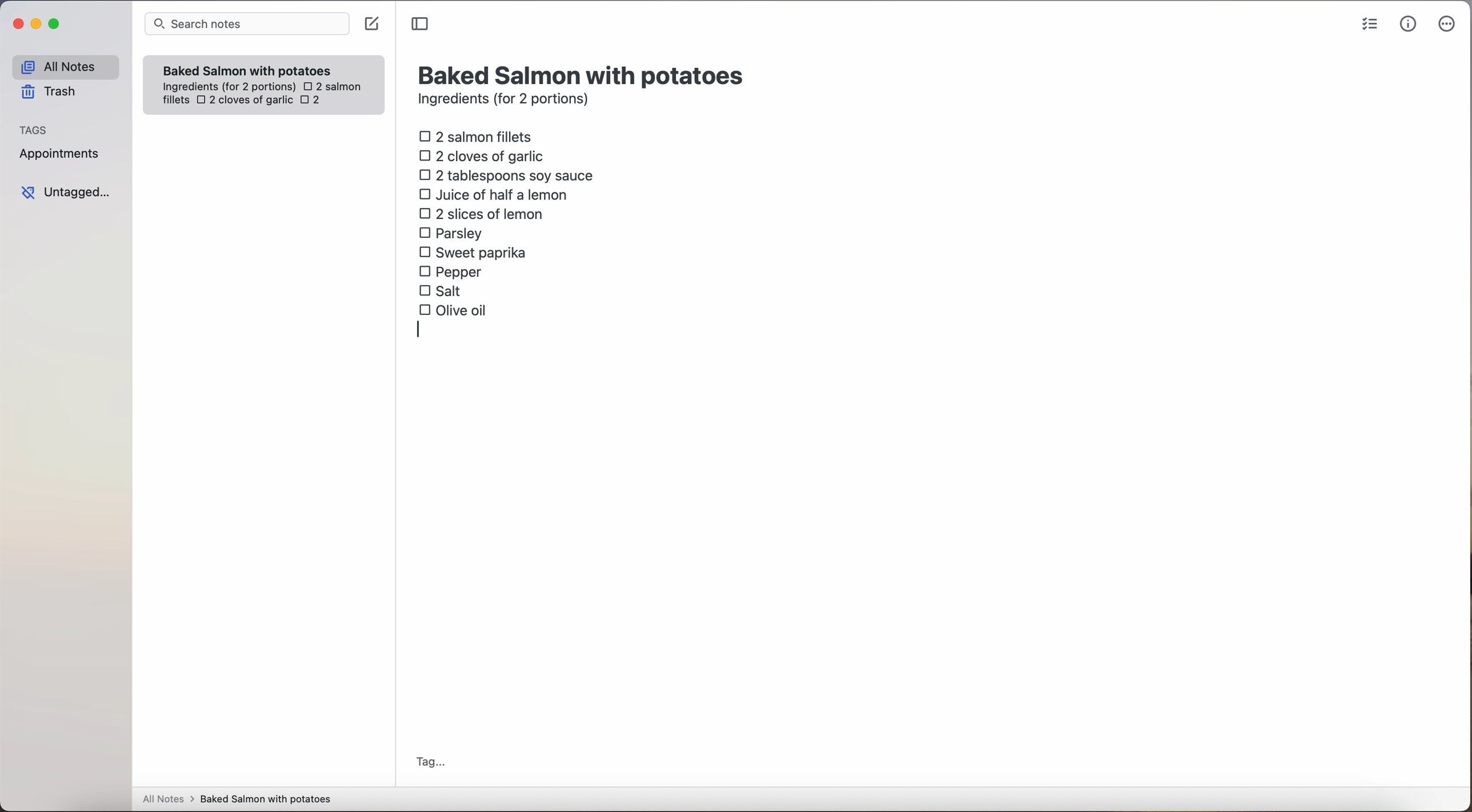 Image resolution: width=1472 pixels, height=812 pixels. What do you see at coordinates (451, 232) in the screenshot?
I see `parsley` at bounding box center [451, 232].